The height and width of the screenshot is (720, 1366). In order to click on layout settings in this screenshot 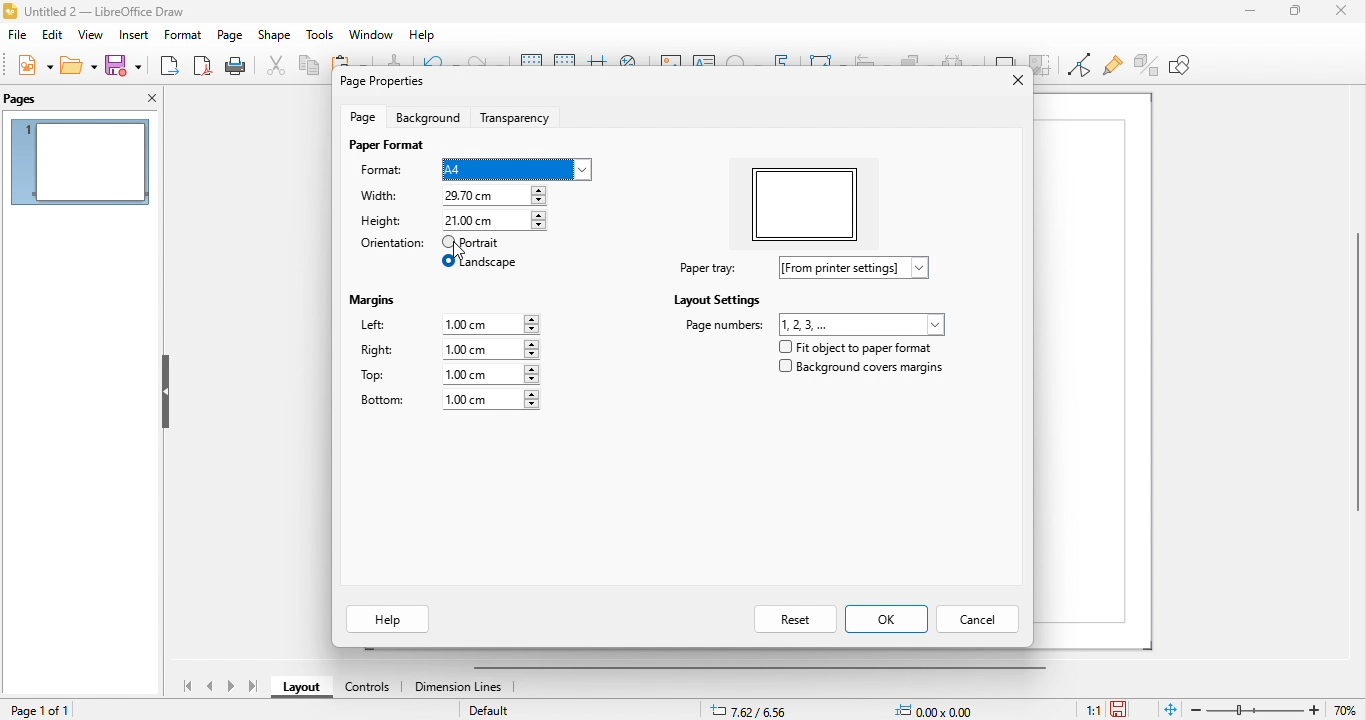, I will do `click(705, 302)`.